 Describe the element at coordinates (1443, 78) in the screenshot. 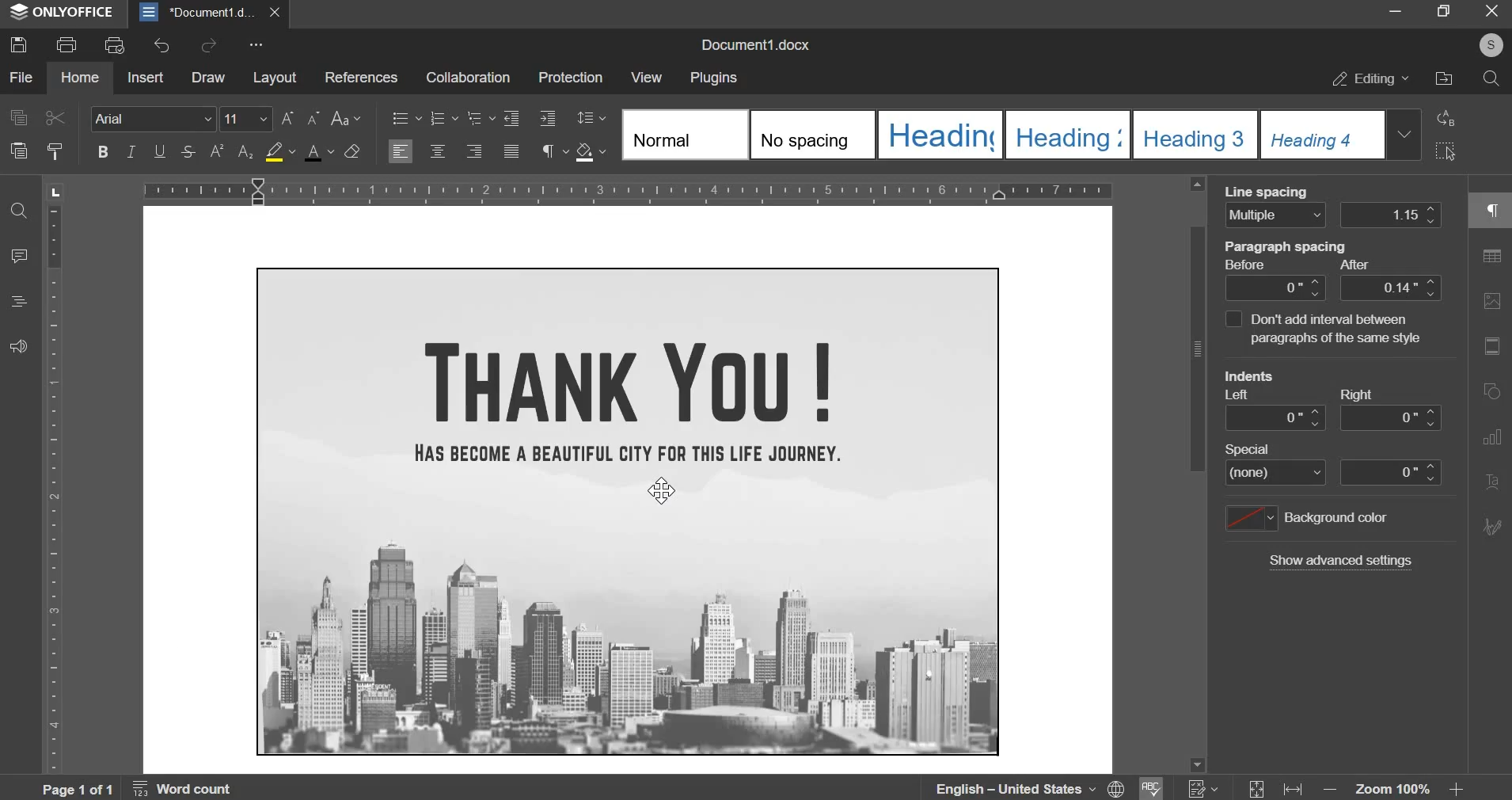

I see `file location` at that location.